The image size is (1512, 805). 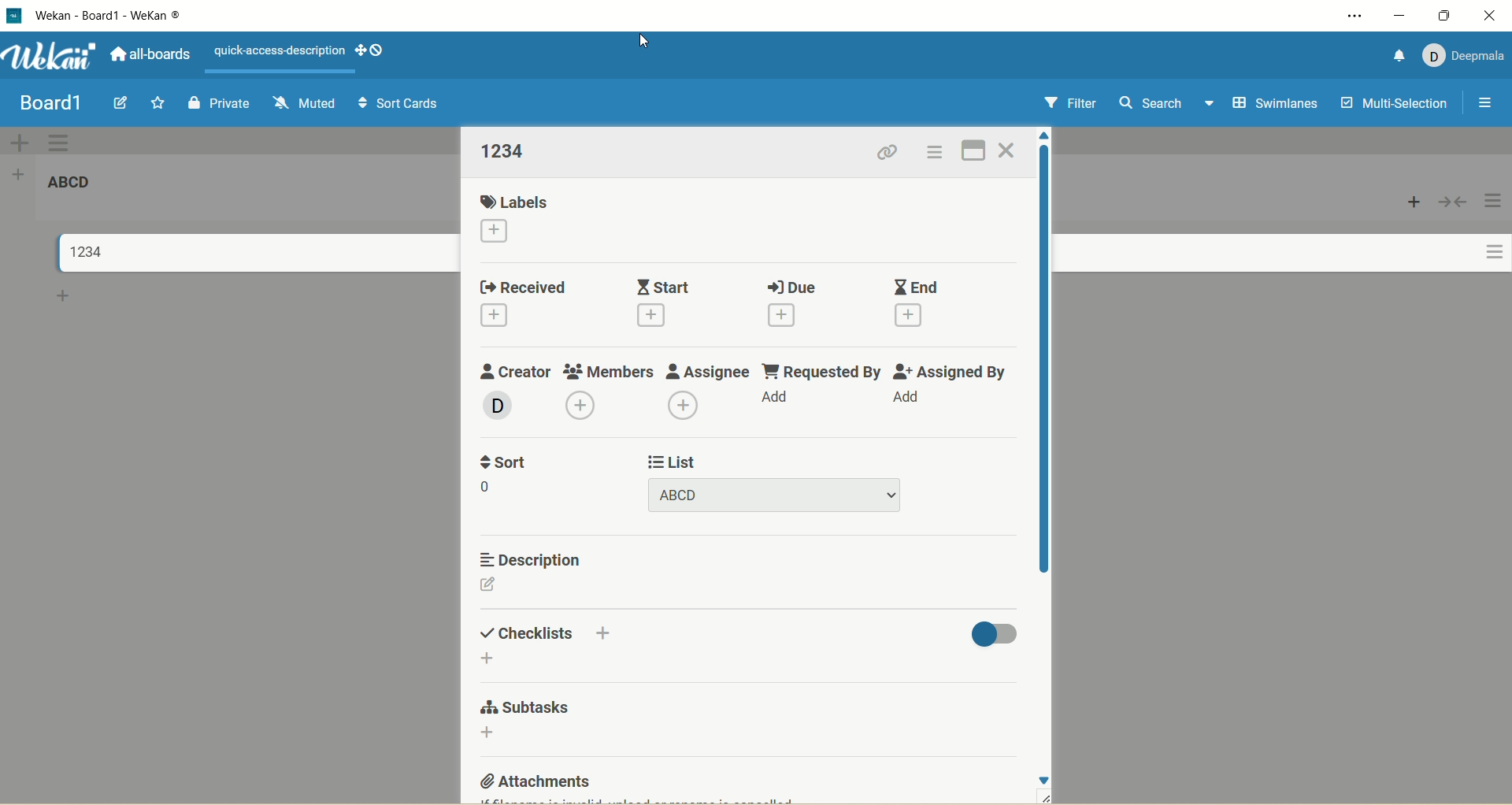 I want to click on minimize, so click(x=1400, y=17).